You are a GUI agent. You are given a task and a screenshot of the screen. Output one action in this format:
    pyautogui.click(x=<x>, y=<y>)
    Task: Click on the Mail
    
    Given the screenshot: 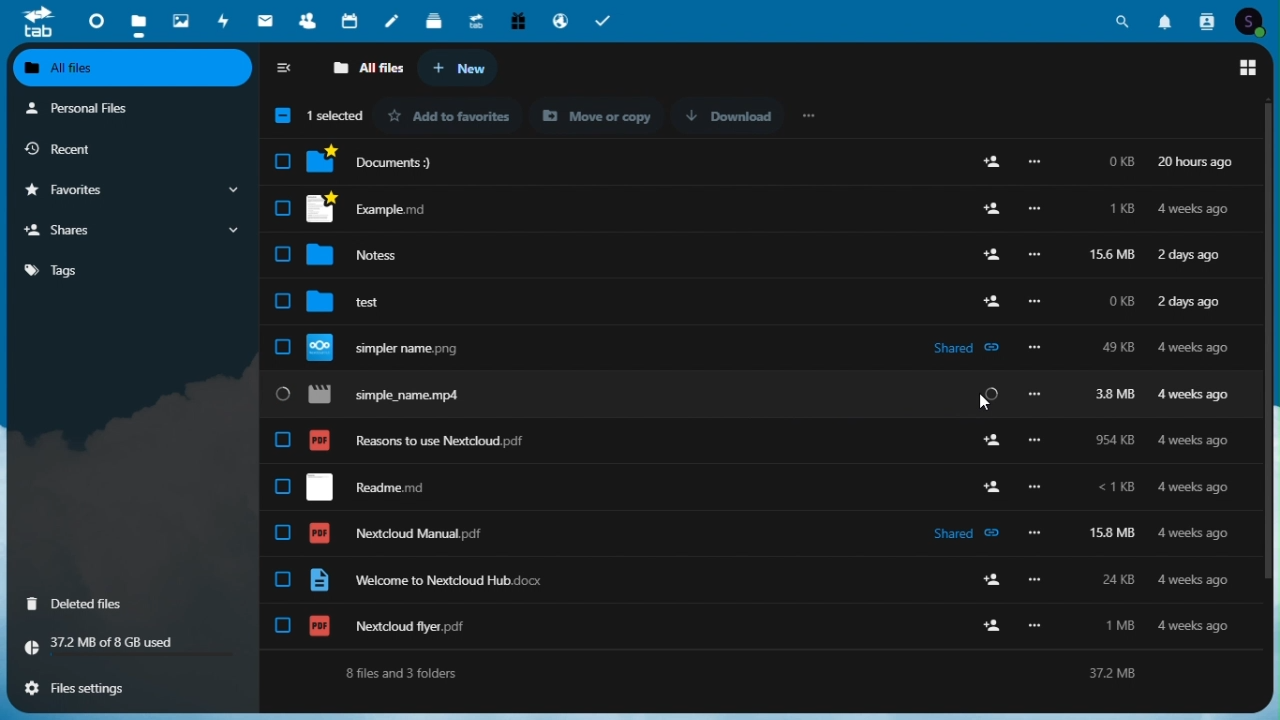 What is the action you would take?
    pyautogui.click(x=268, y=20)
    